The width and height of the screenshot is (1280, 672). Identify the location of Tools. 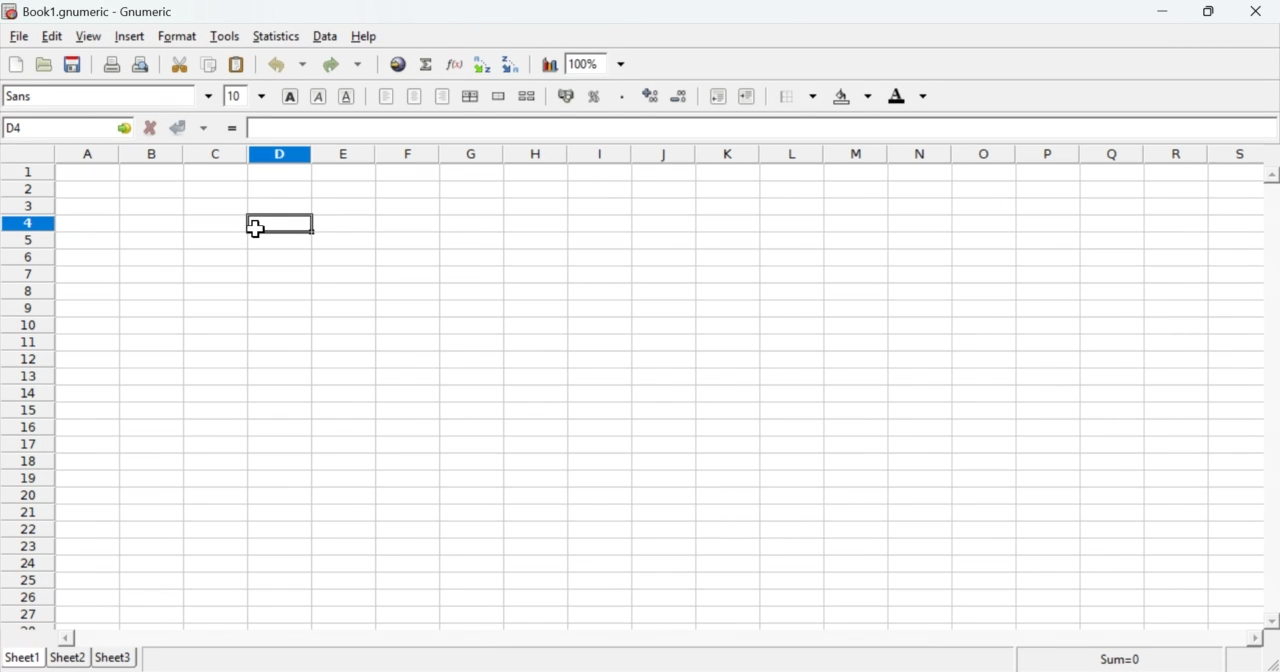
(225, 36).